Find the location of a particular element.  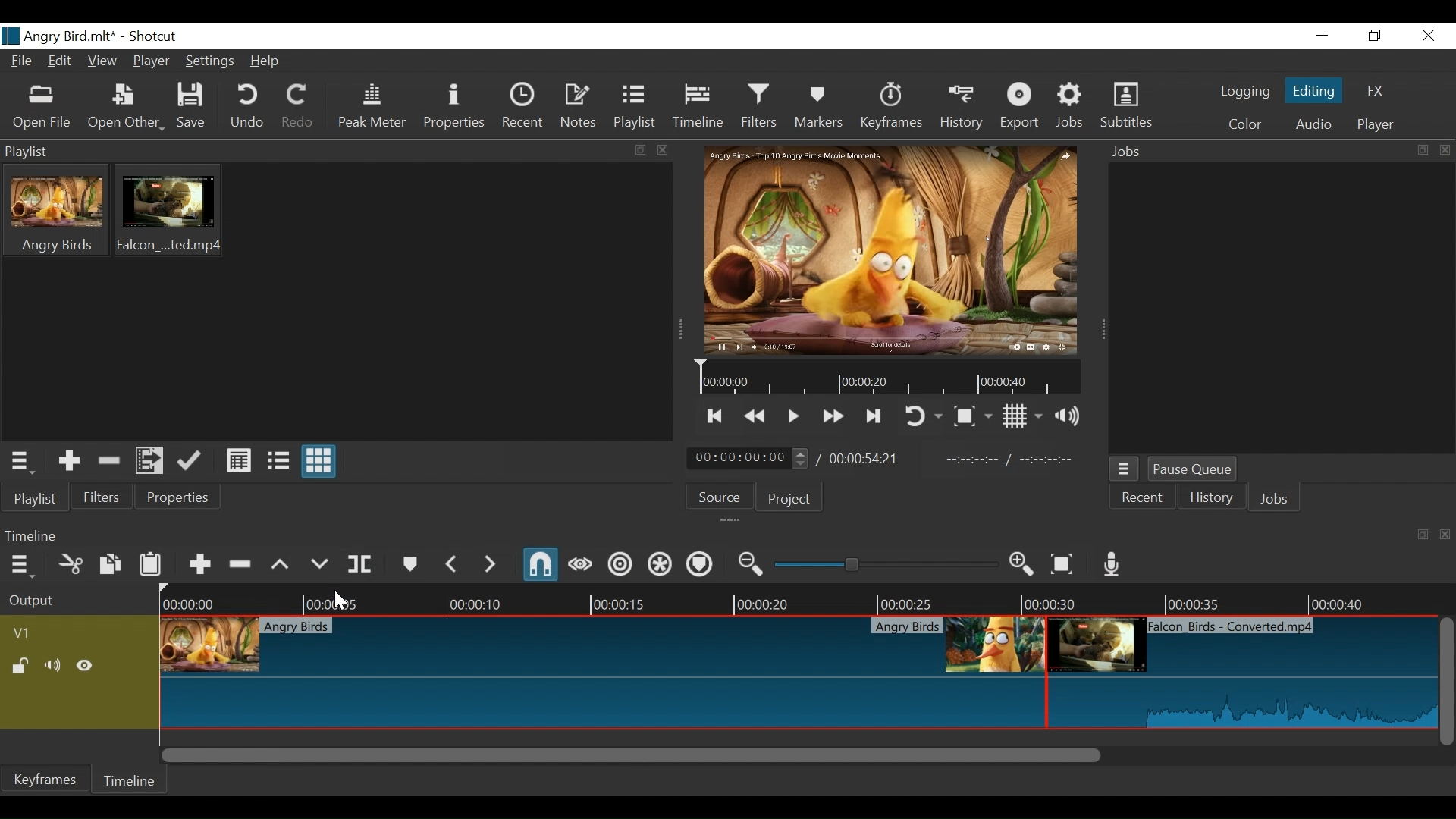

Keyframes is located at coordinates (890, 107).